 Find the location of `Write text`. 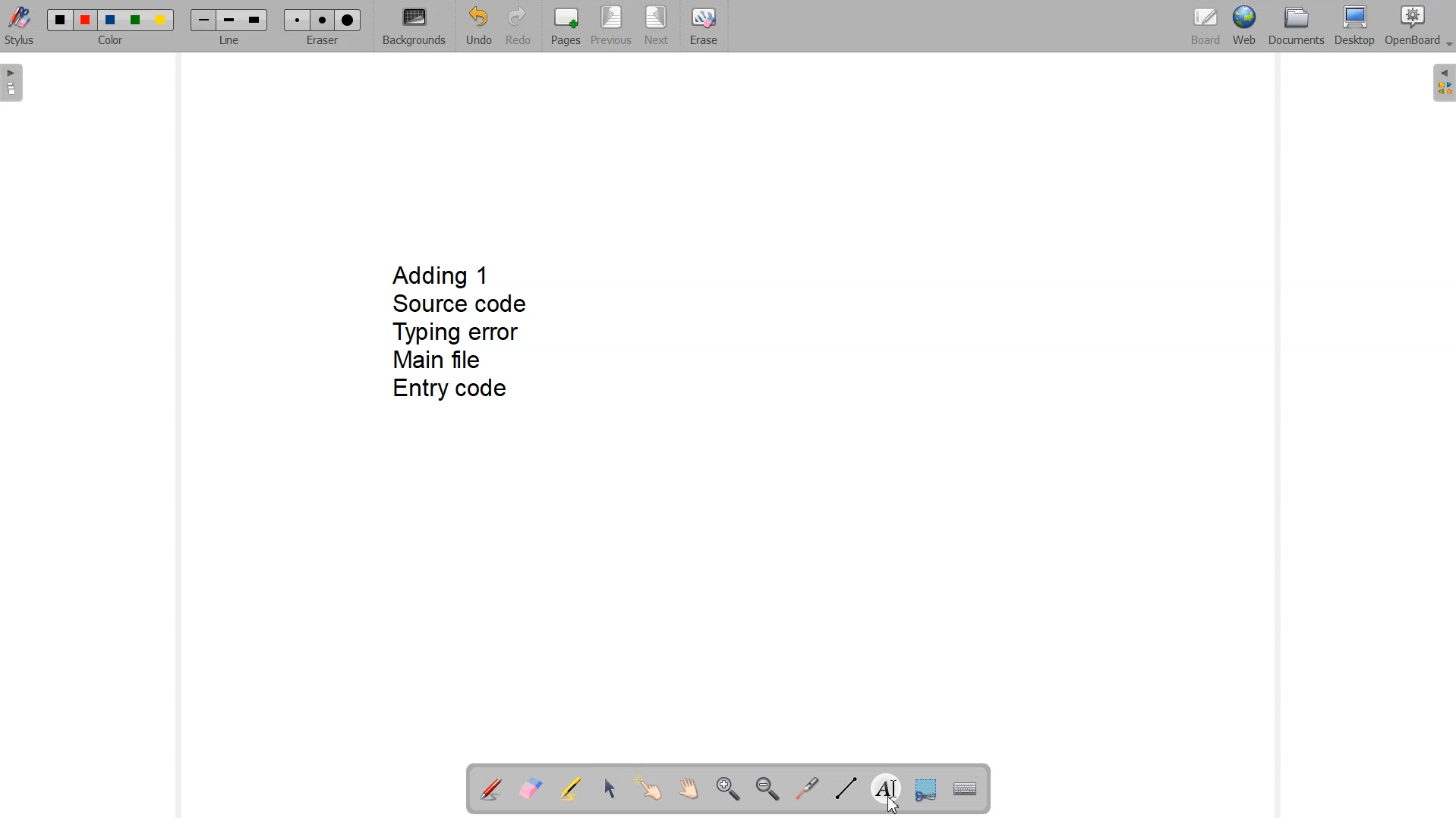

Write text is located at coordinates (886, 786).